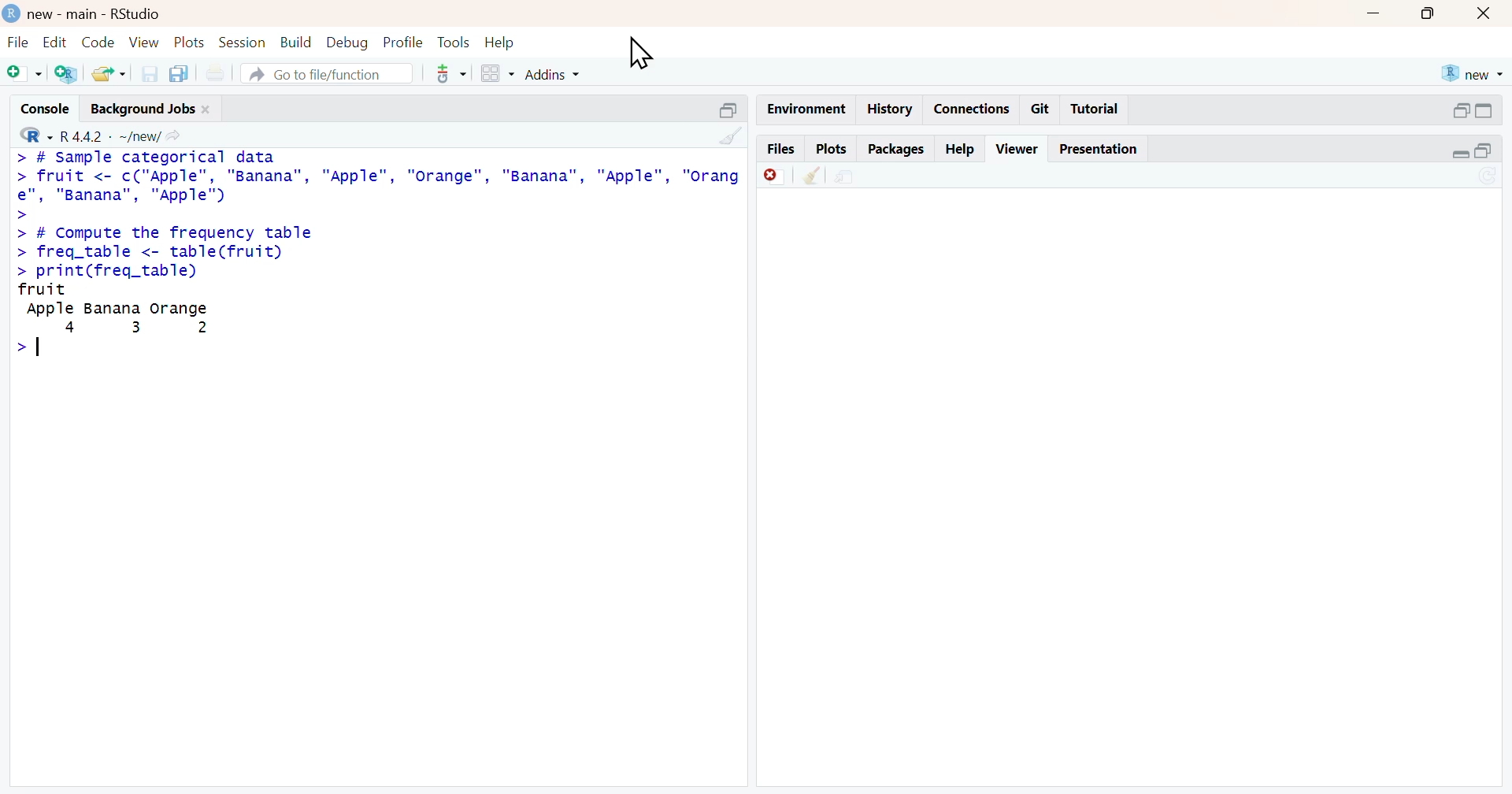 The height and width of the screenshot is (794, 1512). I want to click on packages, so click(897, 149).